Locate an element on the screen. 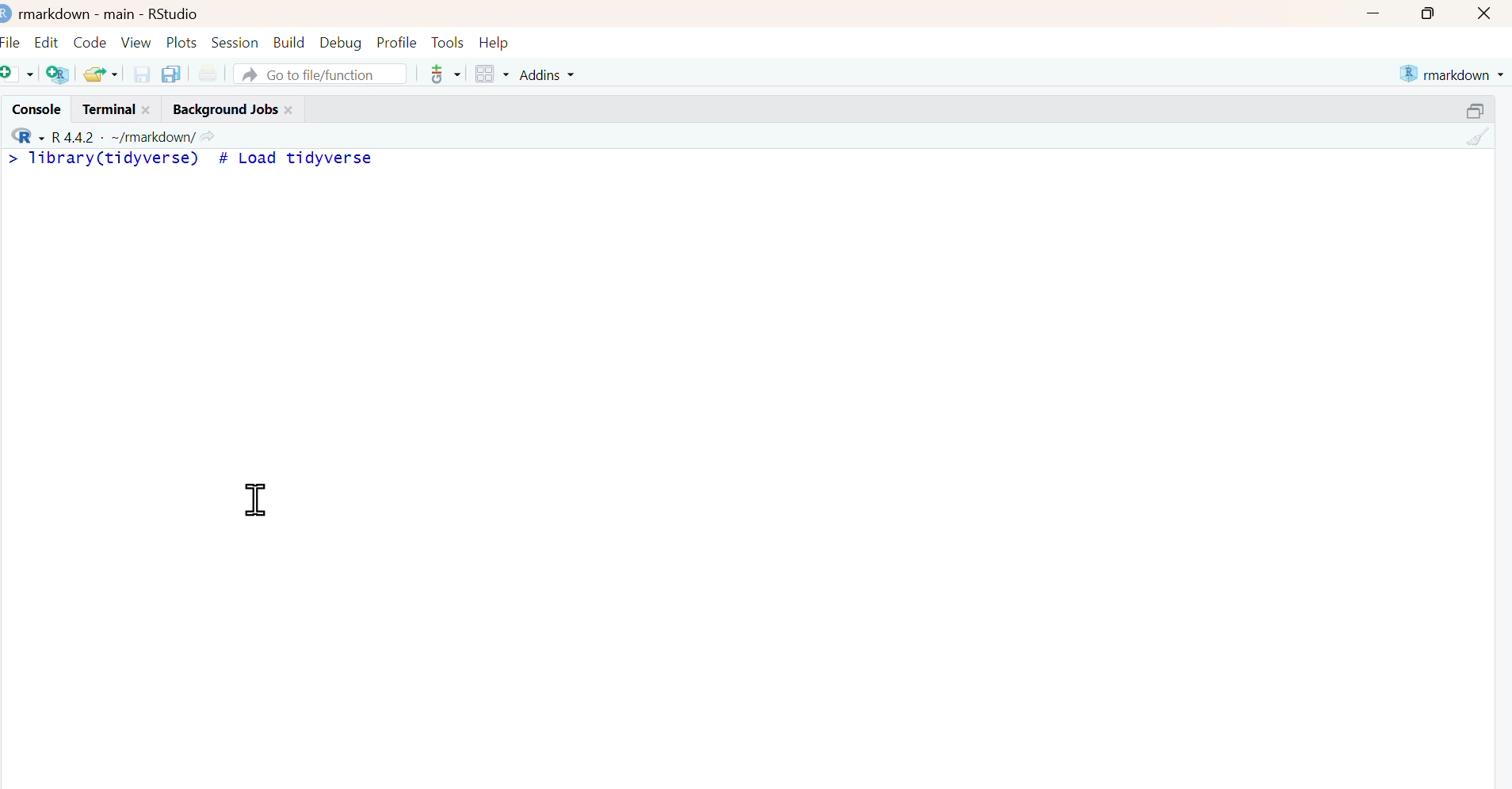  Debug is located at coordinates (341, 40).